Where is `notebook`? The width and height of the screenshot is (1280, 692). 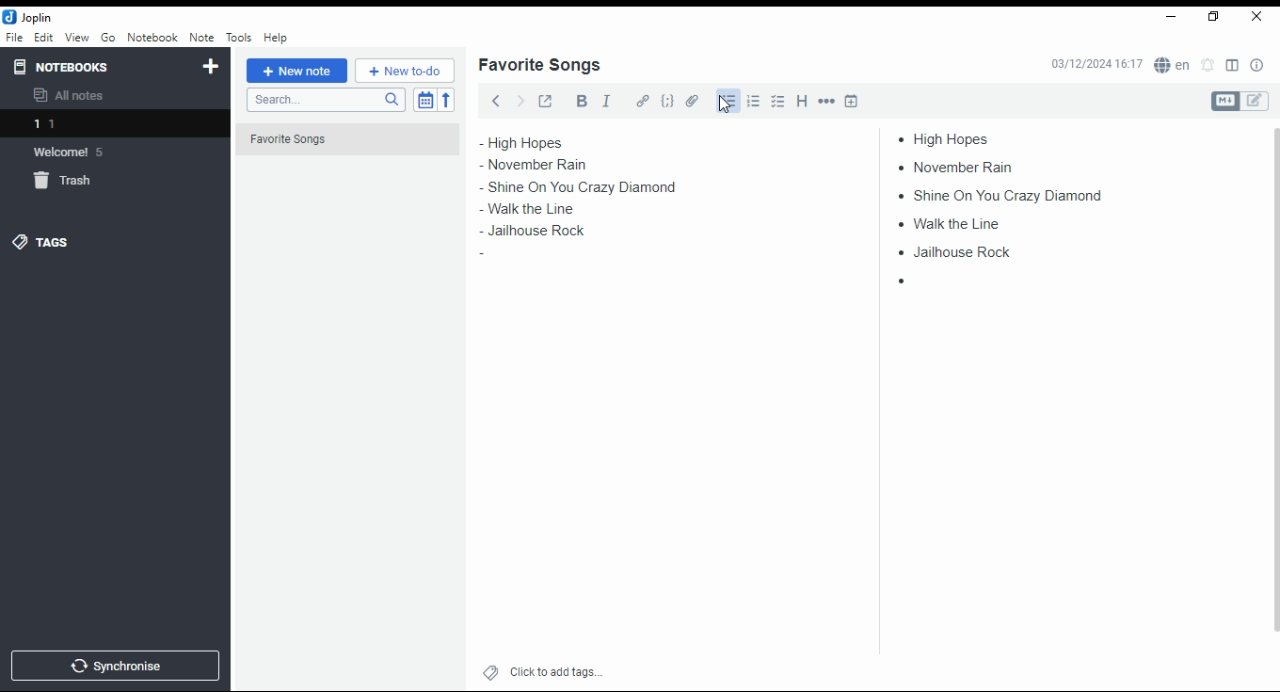 notebook is located at coordinates (152, 37).